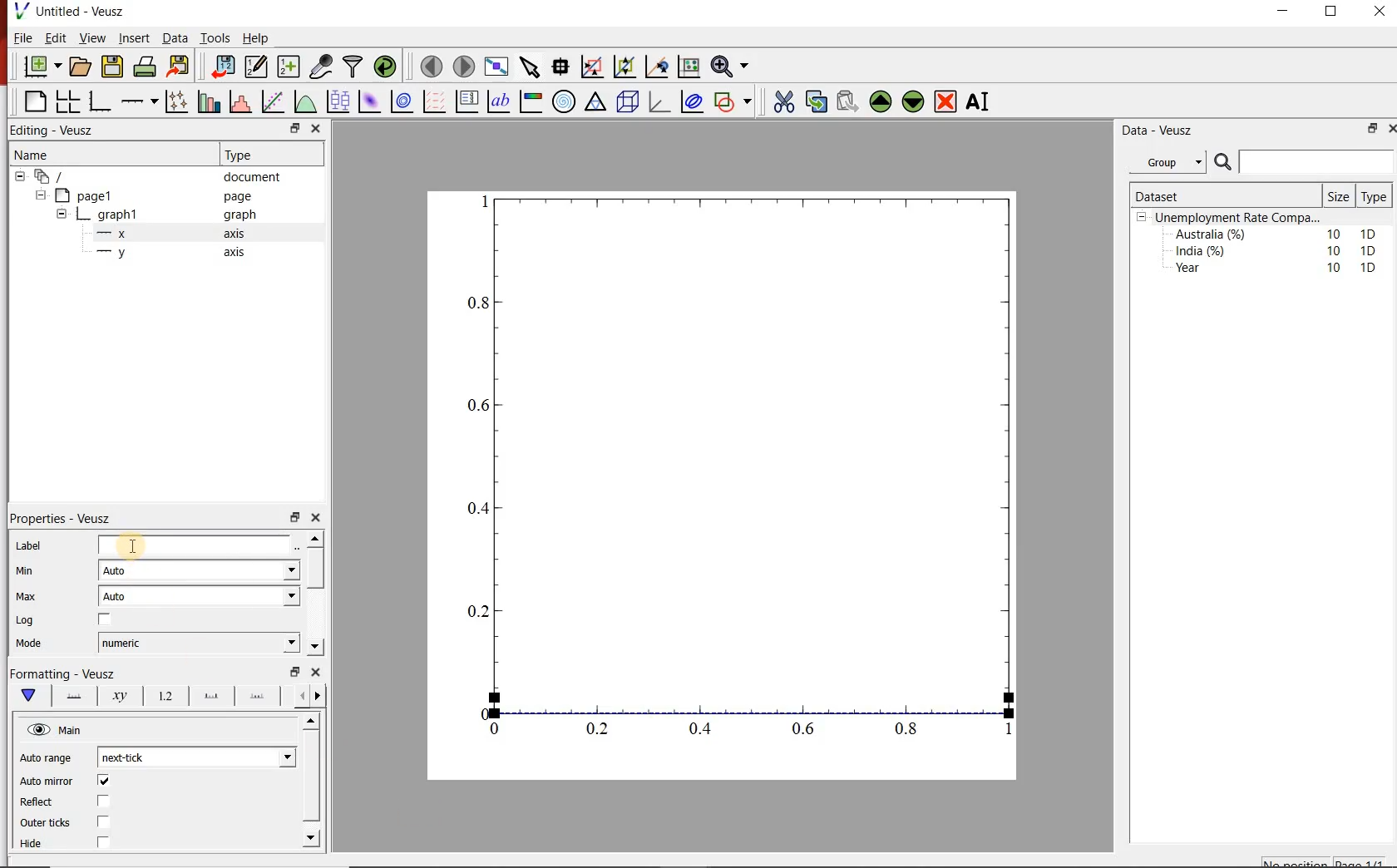 This screenshot has height=868, width=1397. I want to click on axis lines, so click(76, 697).